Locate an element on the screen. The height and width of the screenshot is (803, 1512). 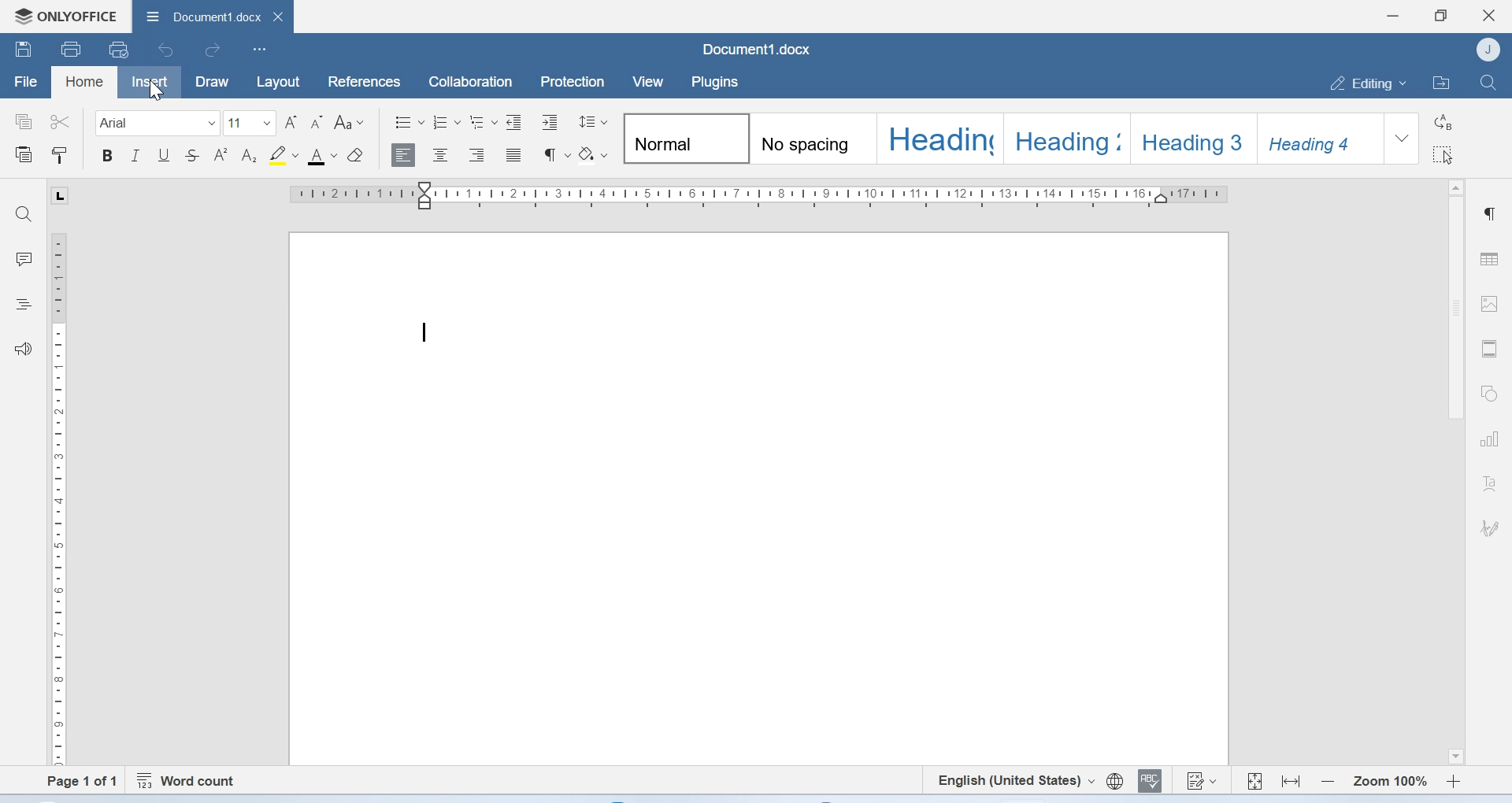
Page 1 of 1 is located at coordinates (74, 781).